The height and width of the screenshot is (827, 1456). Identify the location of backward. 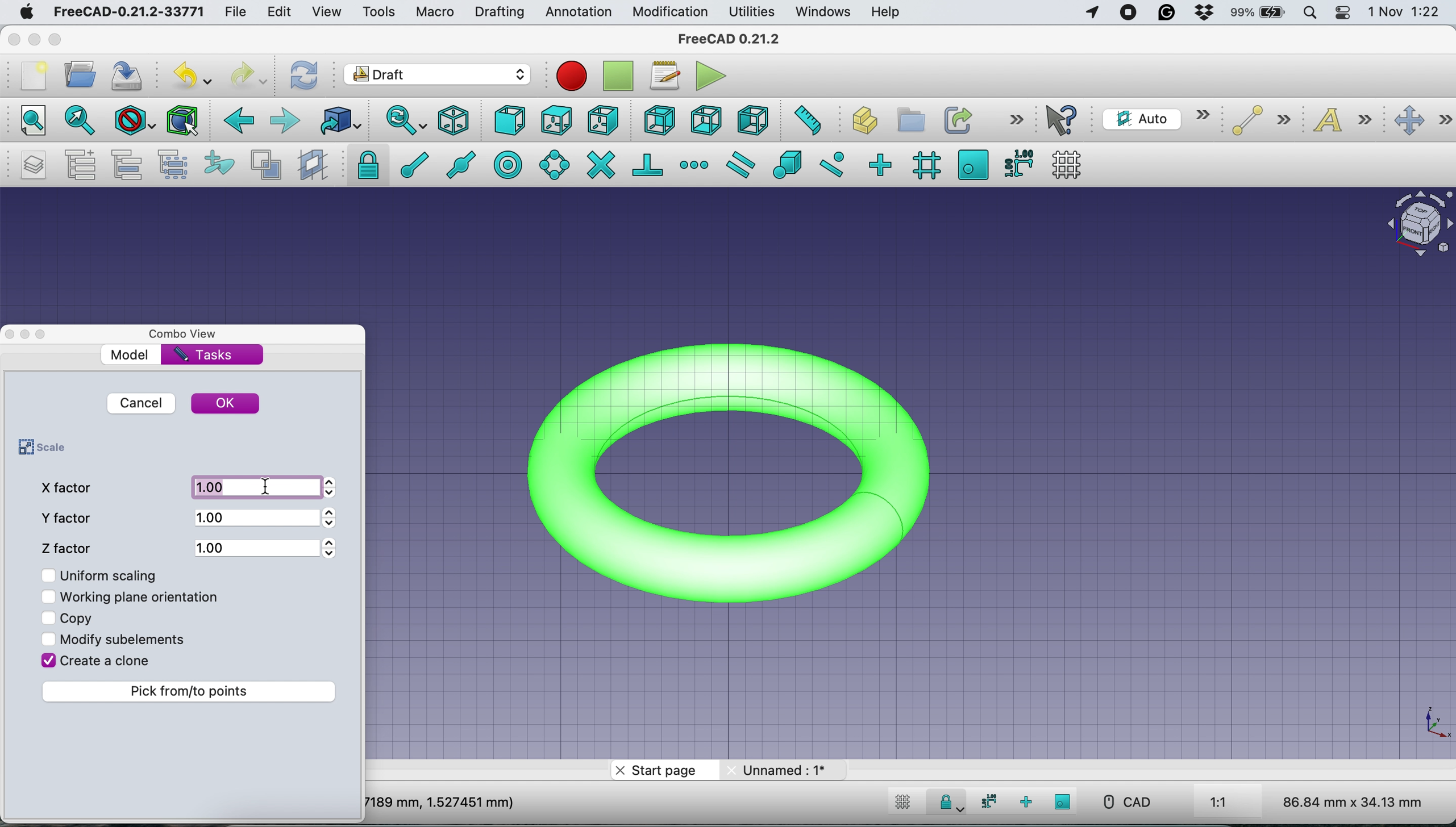
(238, 124).